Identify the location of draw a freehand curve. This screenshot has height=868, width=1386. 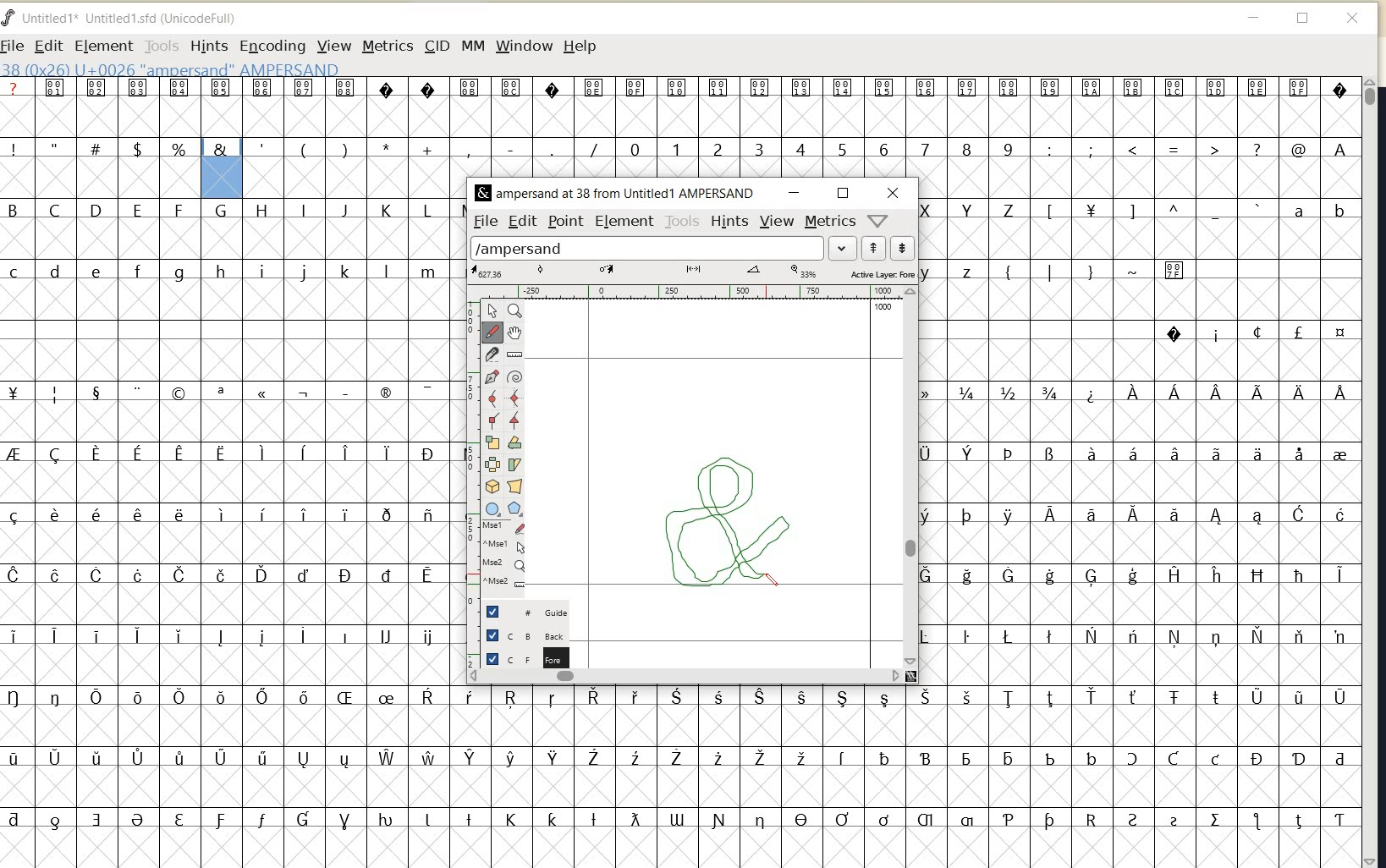
(493, 332).